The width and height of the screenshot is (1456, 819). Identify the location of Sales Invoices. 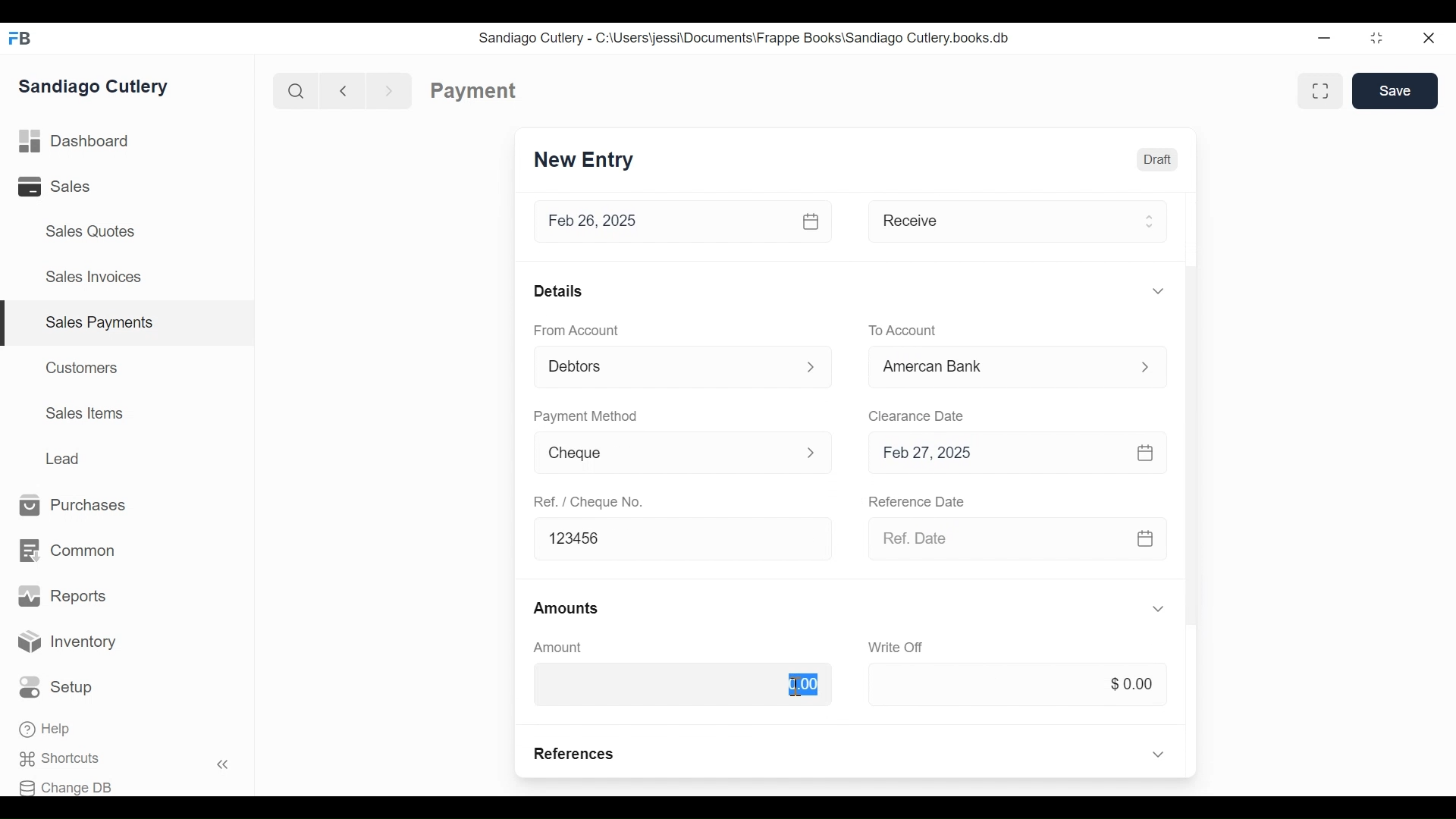
(93, 278).